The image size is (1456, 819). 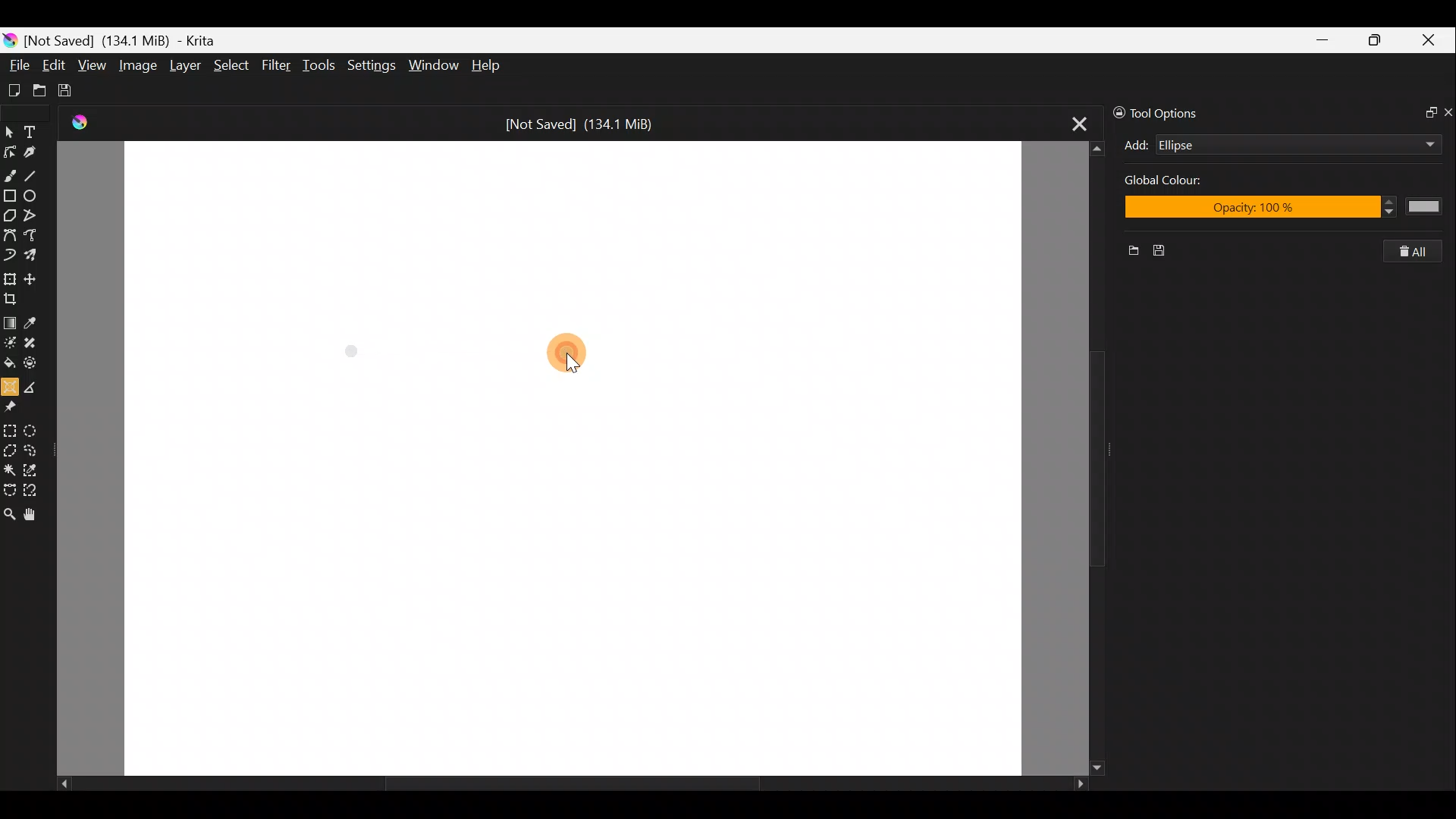 I want to click on Assistant tool, so click(x=10, y=385).